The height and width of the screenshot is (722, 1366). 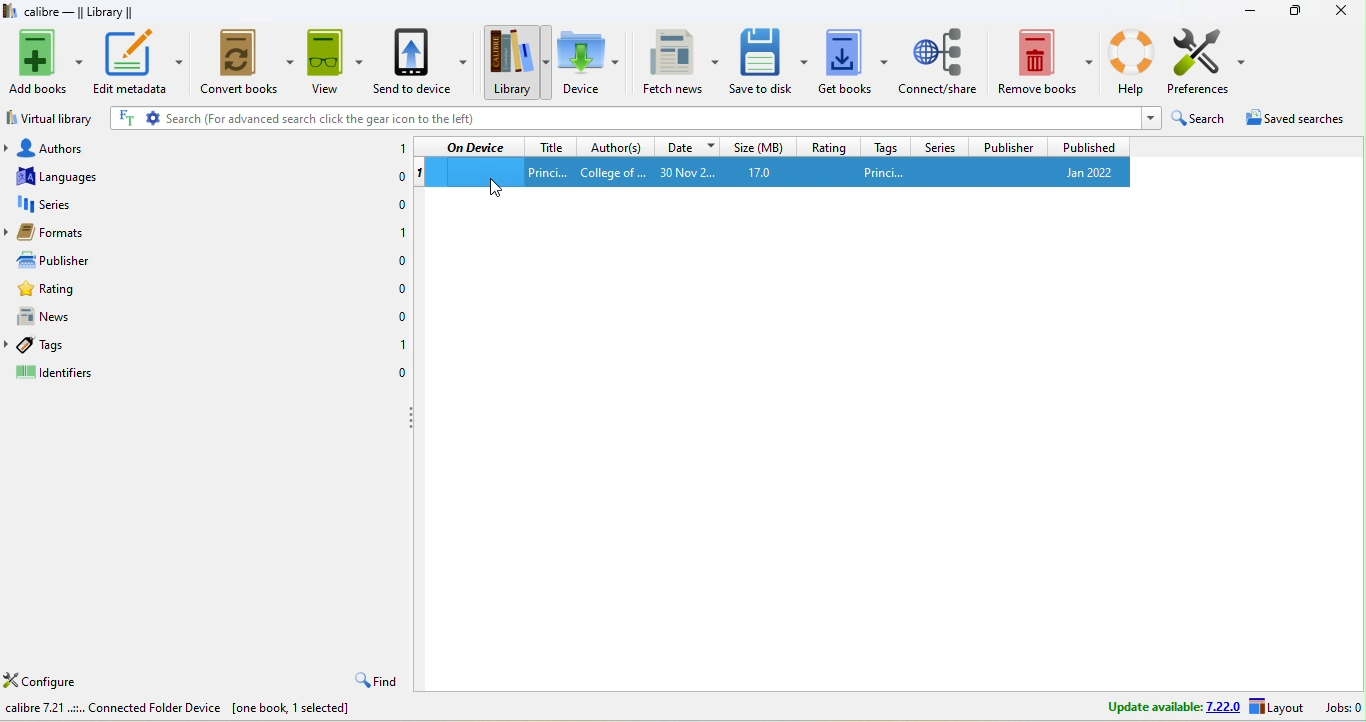 I want to click on device, so click(x=588, y=61).